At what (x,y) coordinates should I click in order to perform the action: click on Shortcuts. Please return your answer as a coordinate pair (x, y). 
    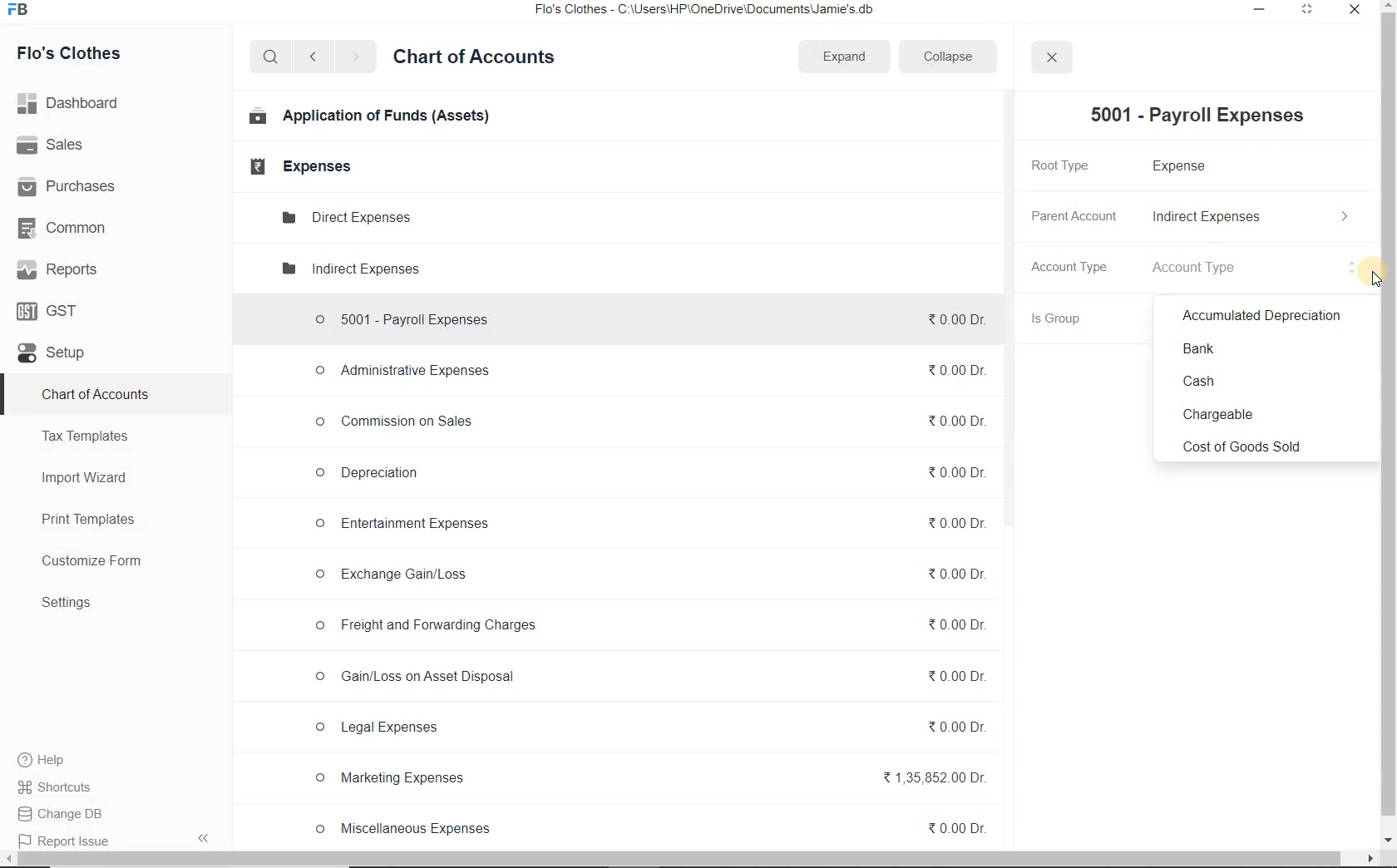
    Looking at the image, I should click on (69, 787).